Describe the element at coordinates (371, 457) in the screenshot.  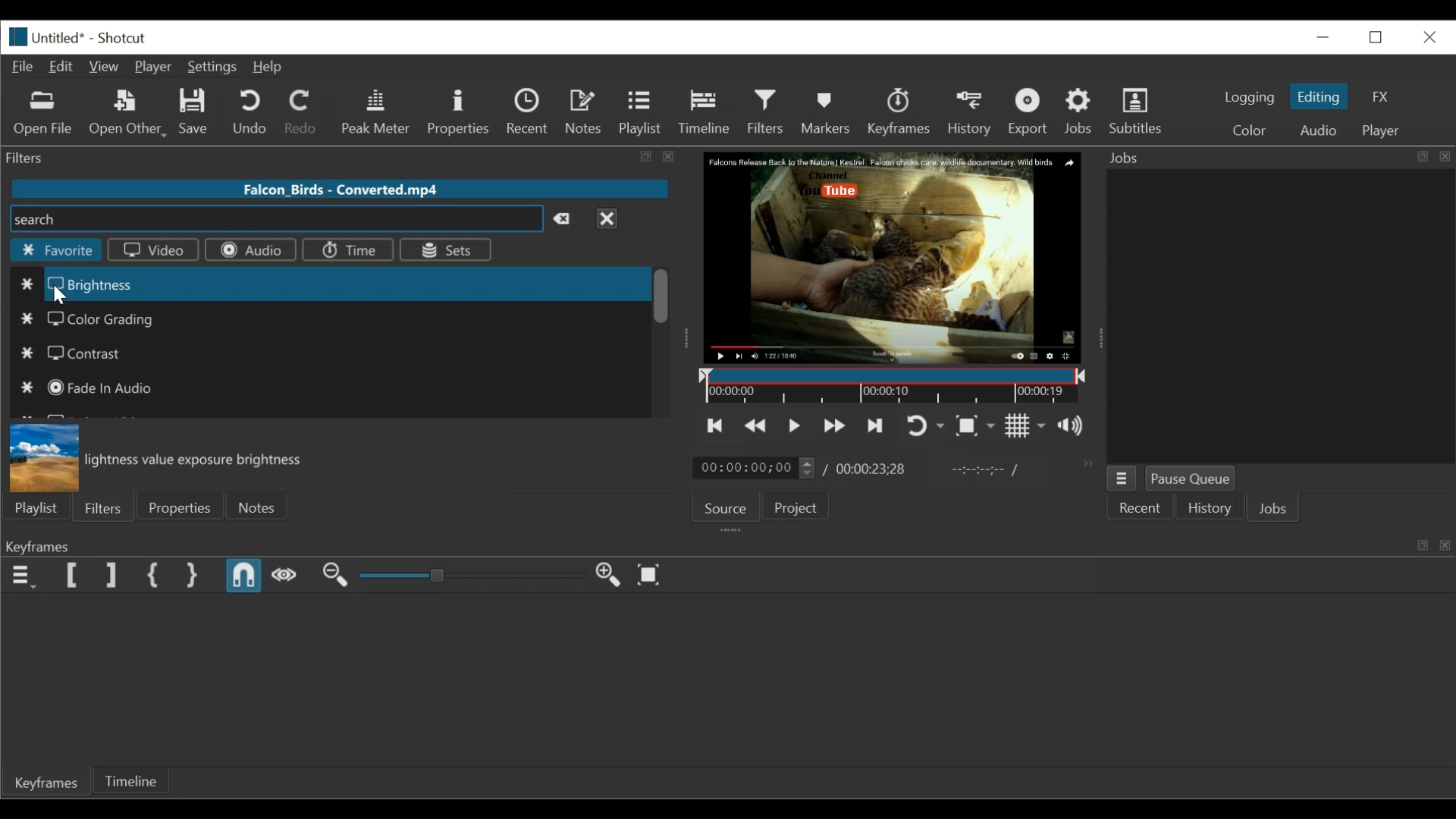
I see `Brightness value exposure brightness` at that location.